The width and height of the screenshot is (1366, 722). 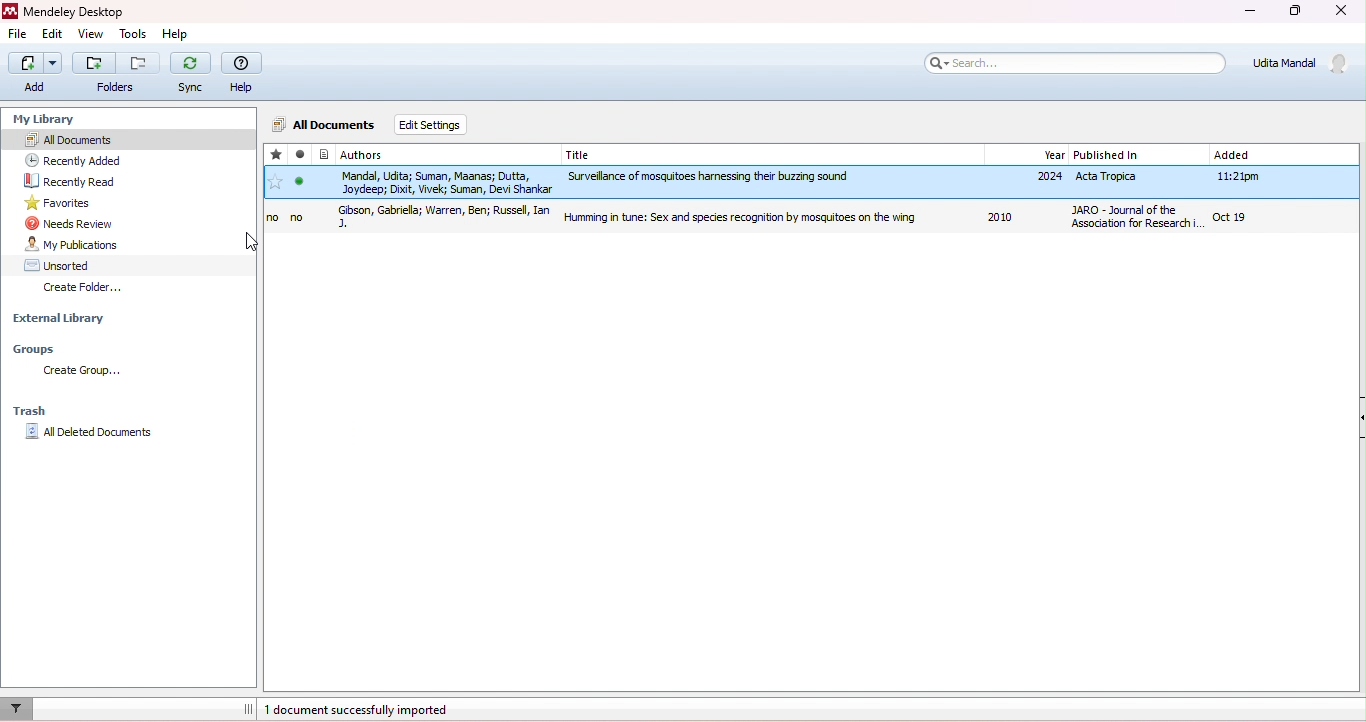 What do you see at coordinates (176, 35) in the screenshot?
I see `help` at bounding box center [176, 35].